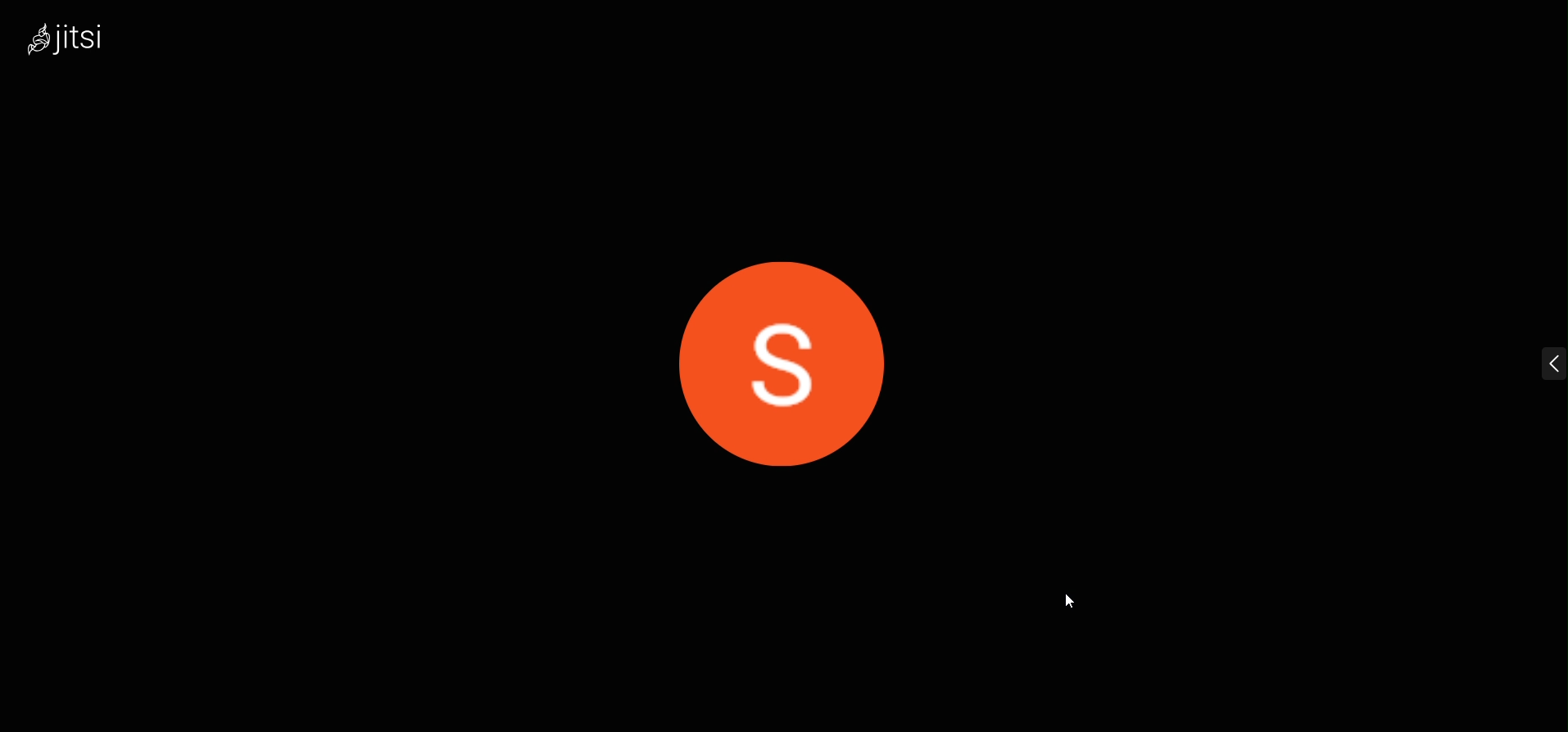 The width and height of the screenshot is (1568, 732). What do you see at coordinates (1065, 595) in the screenshot?
I see `cursor` at bounding box center [1065, 595].